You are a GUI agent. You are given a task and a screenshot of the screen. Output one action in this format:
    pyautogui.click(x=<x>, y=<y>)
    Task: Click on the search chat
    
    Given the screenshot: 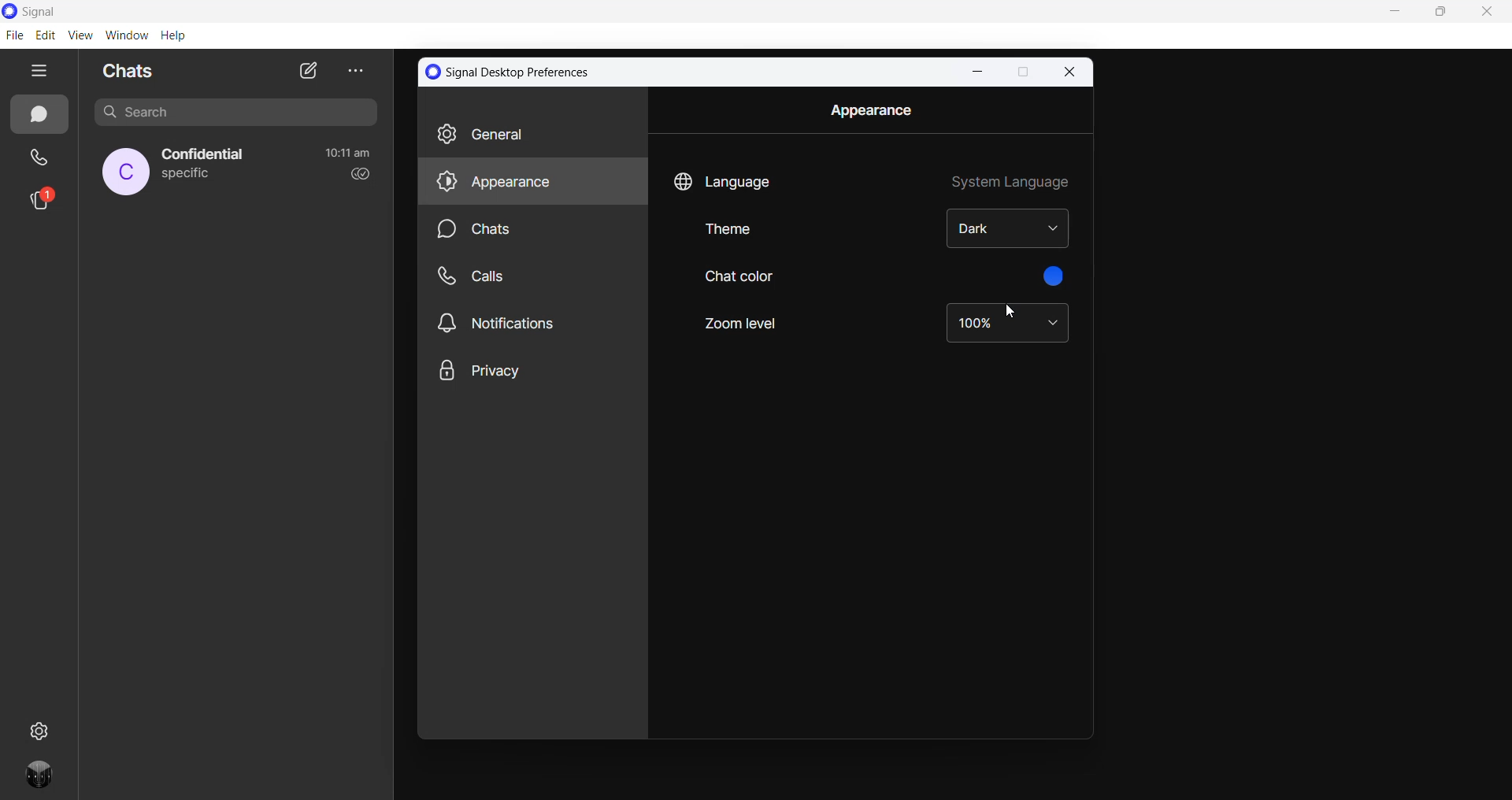 What is the action you would take?
    pyautogui.click(x=242, y=116)
    